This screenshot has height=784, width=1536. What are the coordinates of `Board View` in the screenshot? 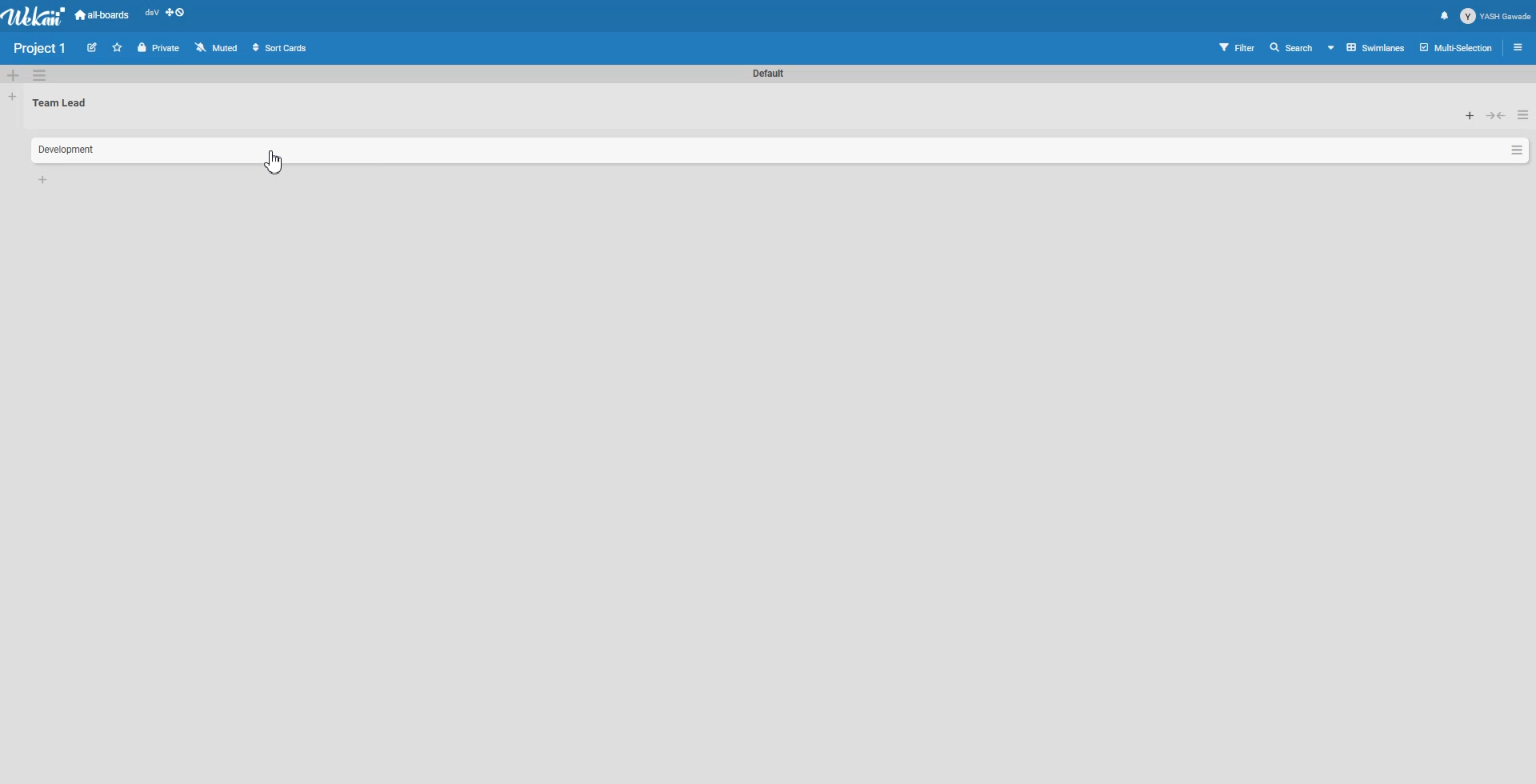 It's located at (1367, 47).